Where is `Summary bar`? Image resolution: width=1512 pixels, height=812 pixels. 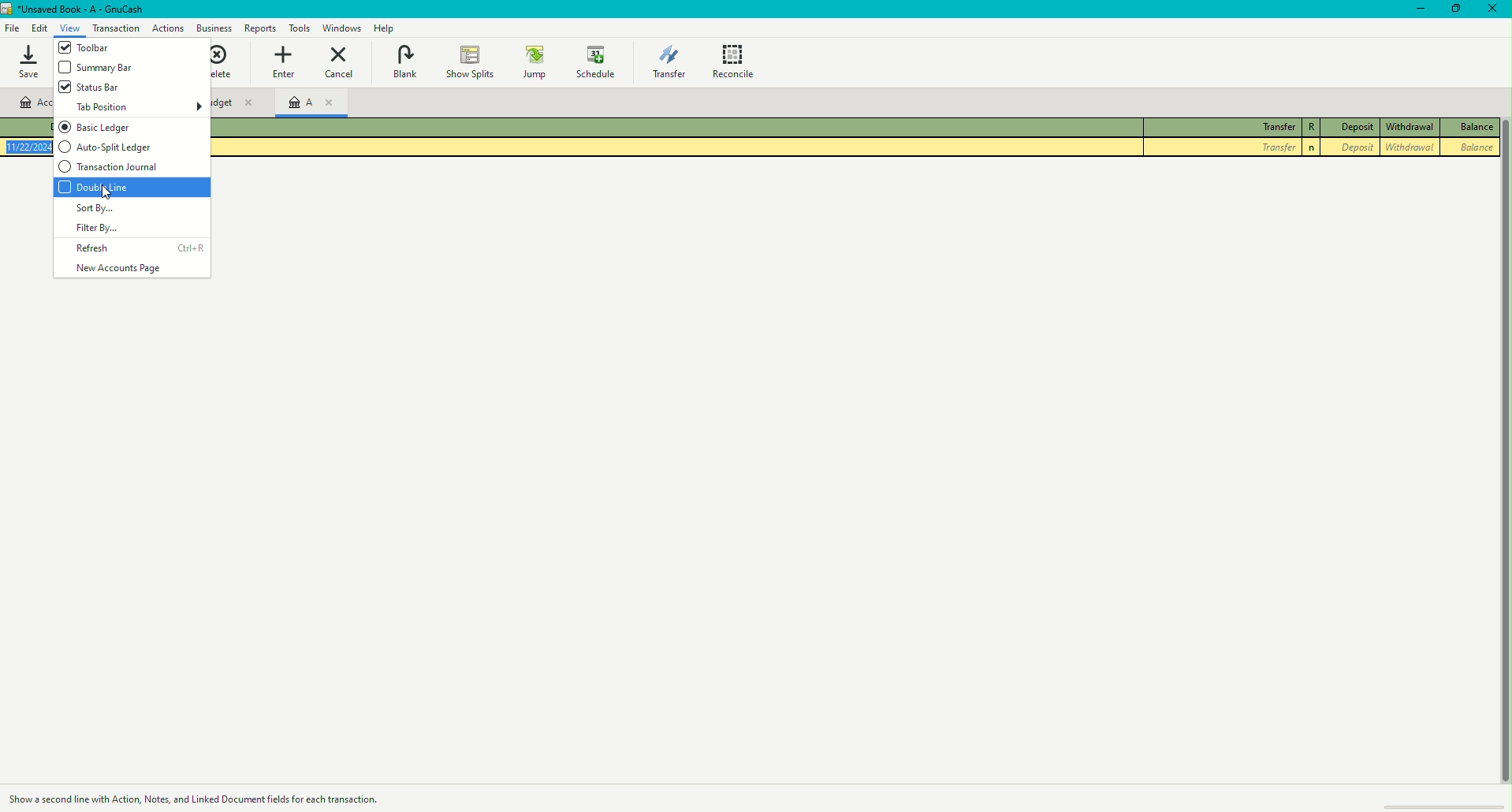 Summary bar is located at coordinates (99, 69).